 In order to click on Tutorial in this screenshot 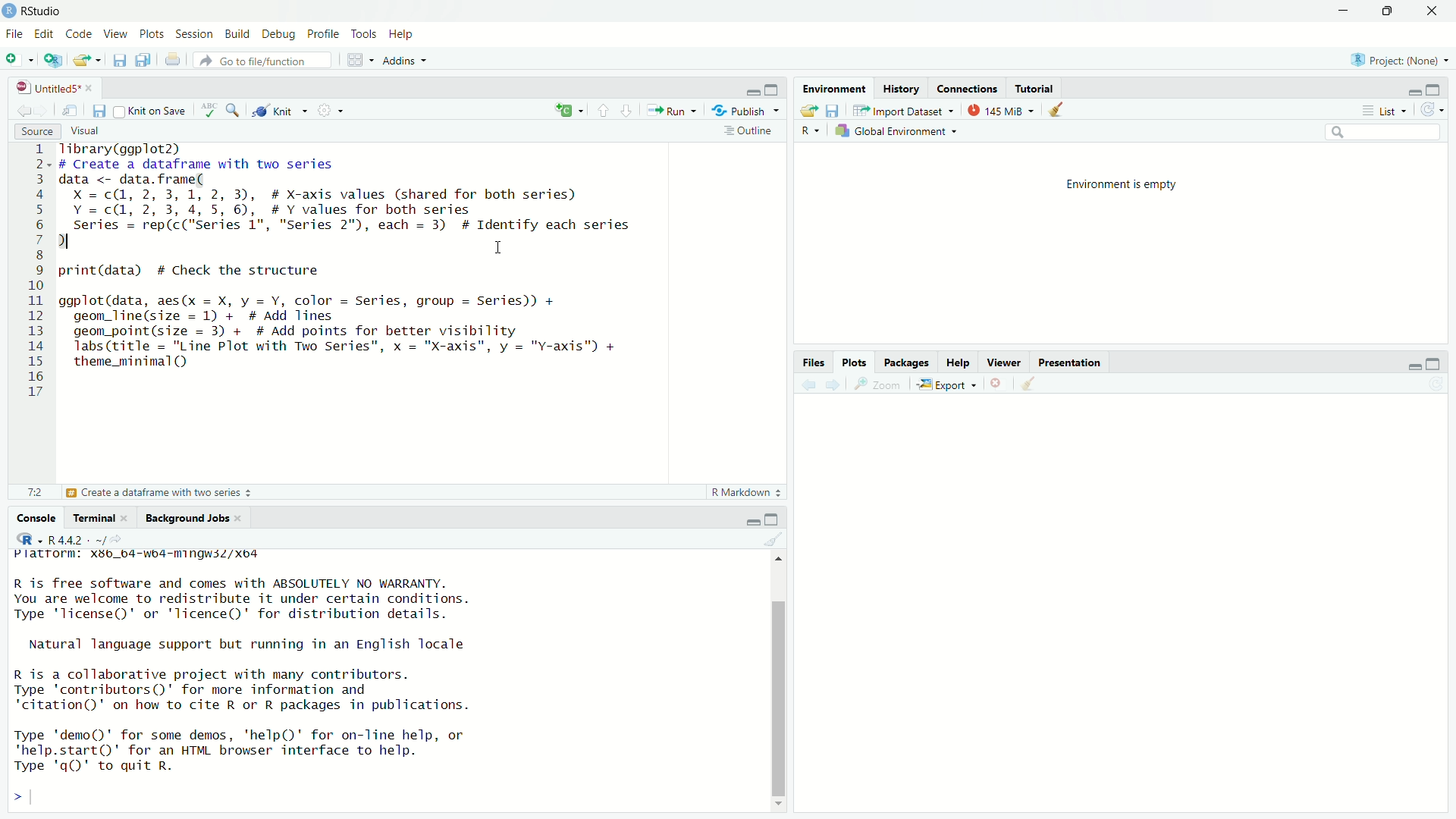, I will do `click(1033, 87)`.